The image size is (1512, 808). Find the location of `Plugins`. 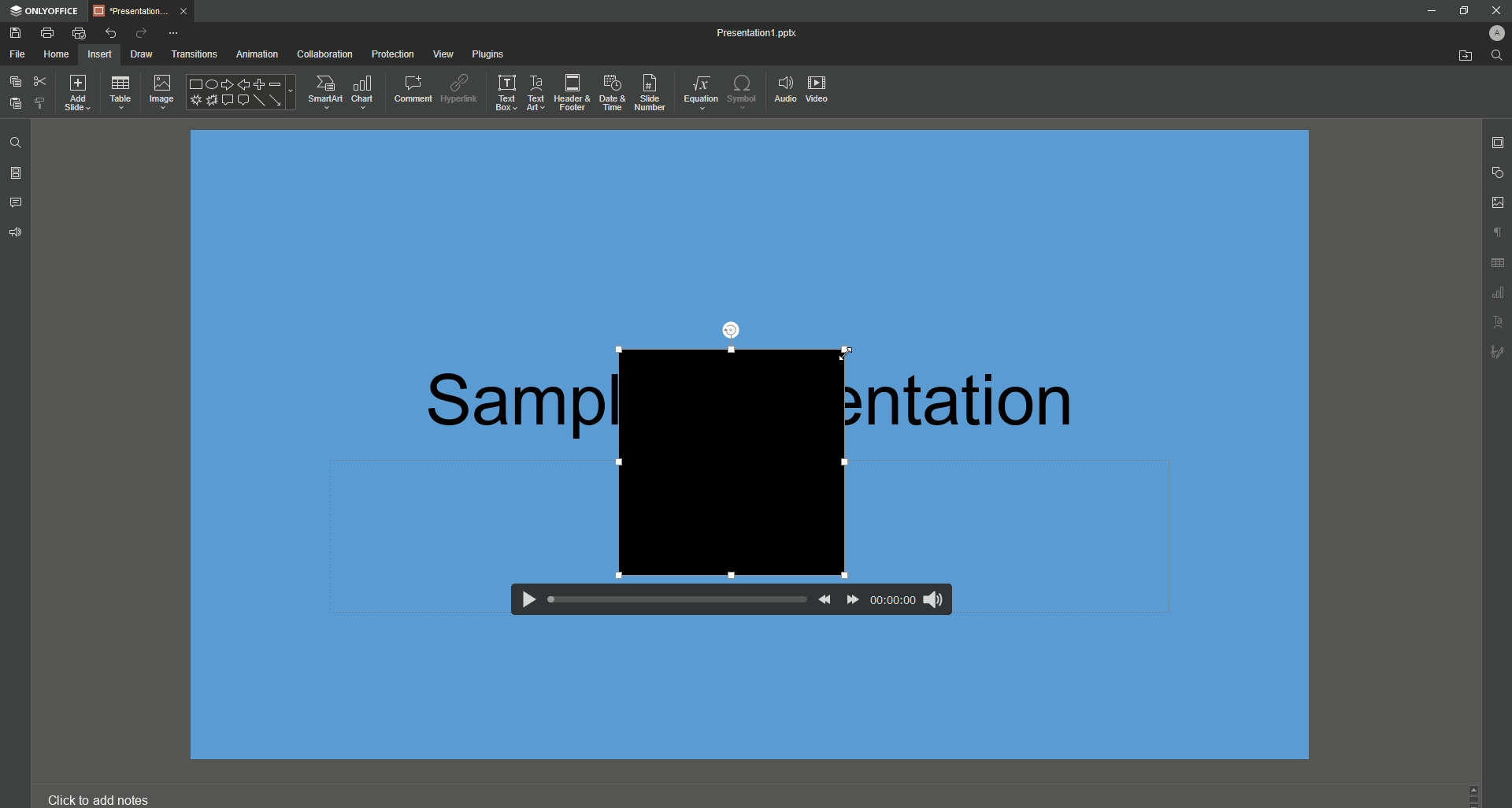

Plugins is located at coordinates (487, 53).